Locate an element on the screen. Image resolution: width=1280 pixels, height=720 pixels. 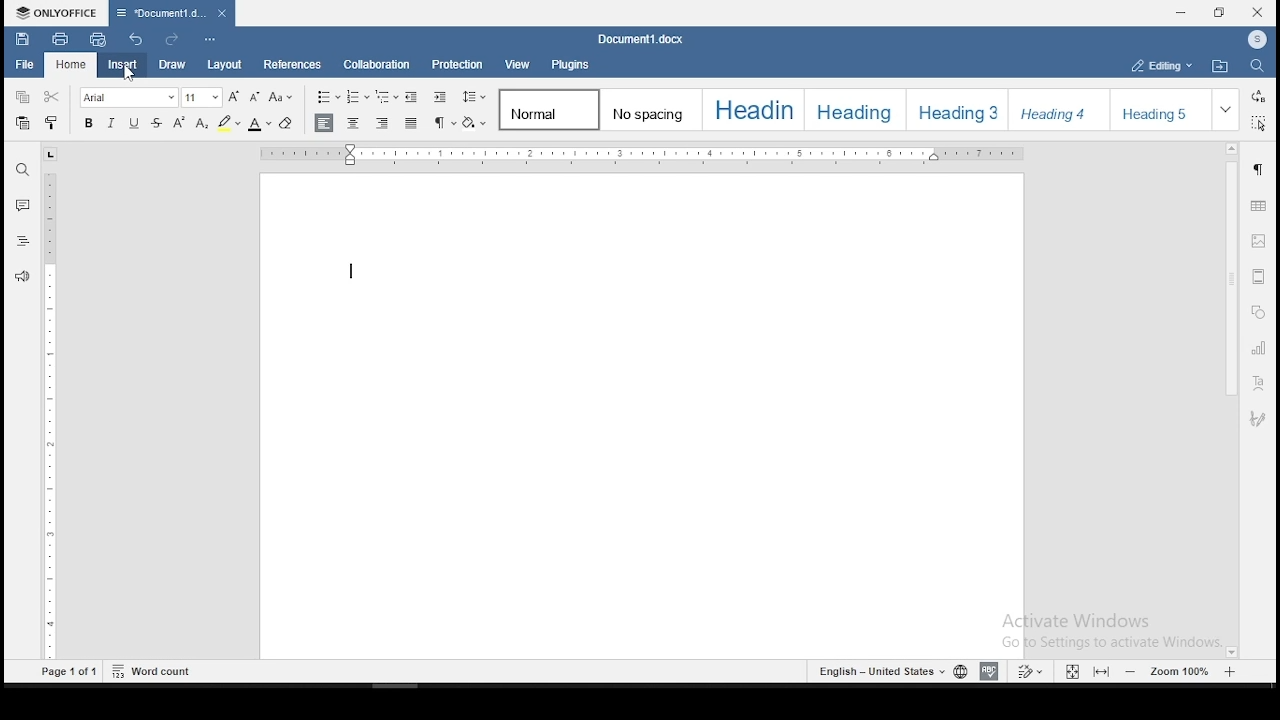
font color is located at coordinates (260, 122).